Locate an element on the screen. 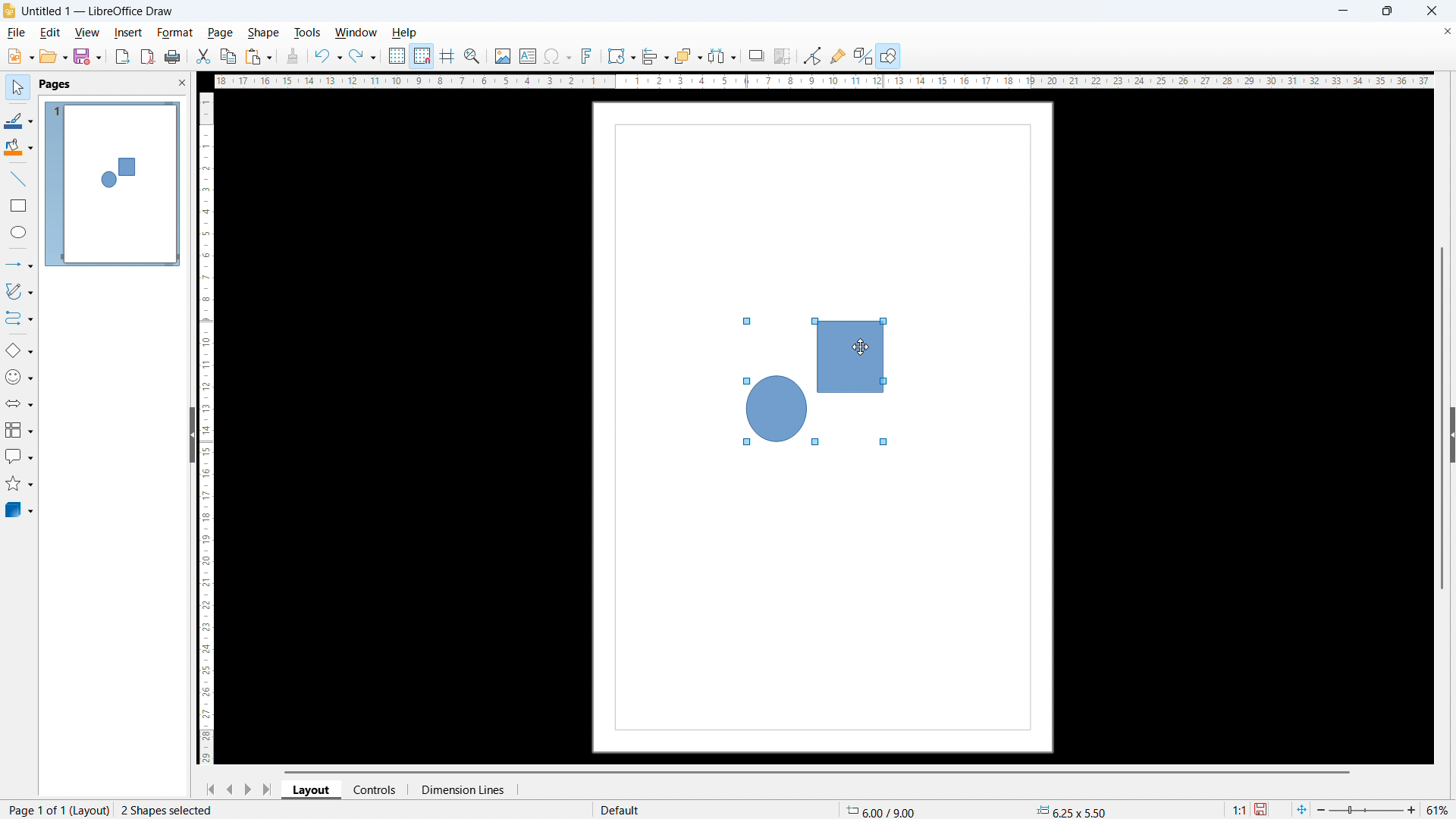 The height and width of the screenshot is (819, 1456). toggle extrusion is located at coordinates (863, 56).